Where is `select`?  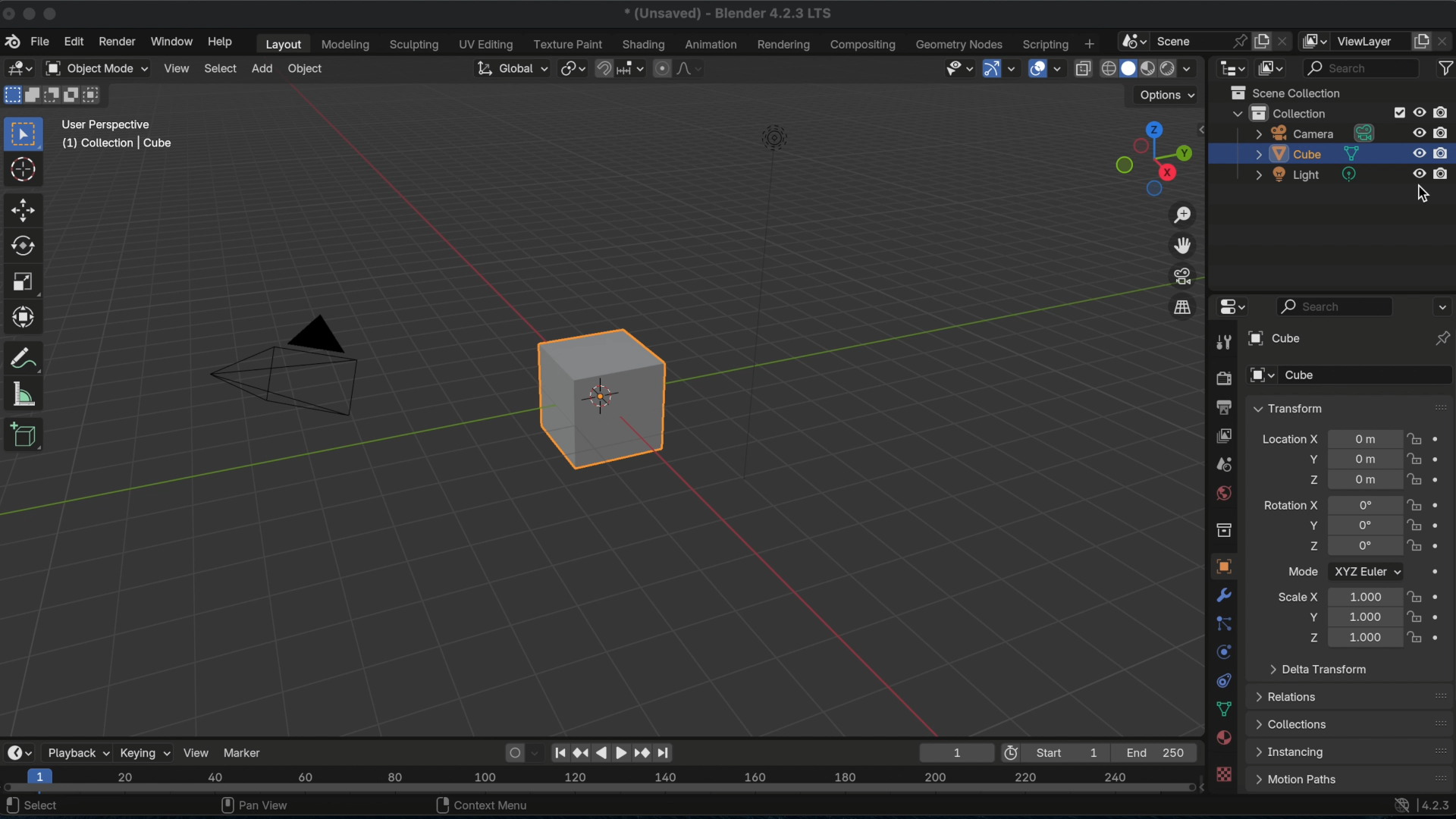
select is located at coordinates (221, 68).